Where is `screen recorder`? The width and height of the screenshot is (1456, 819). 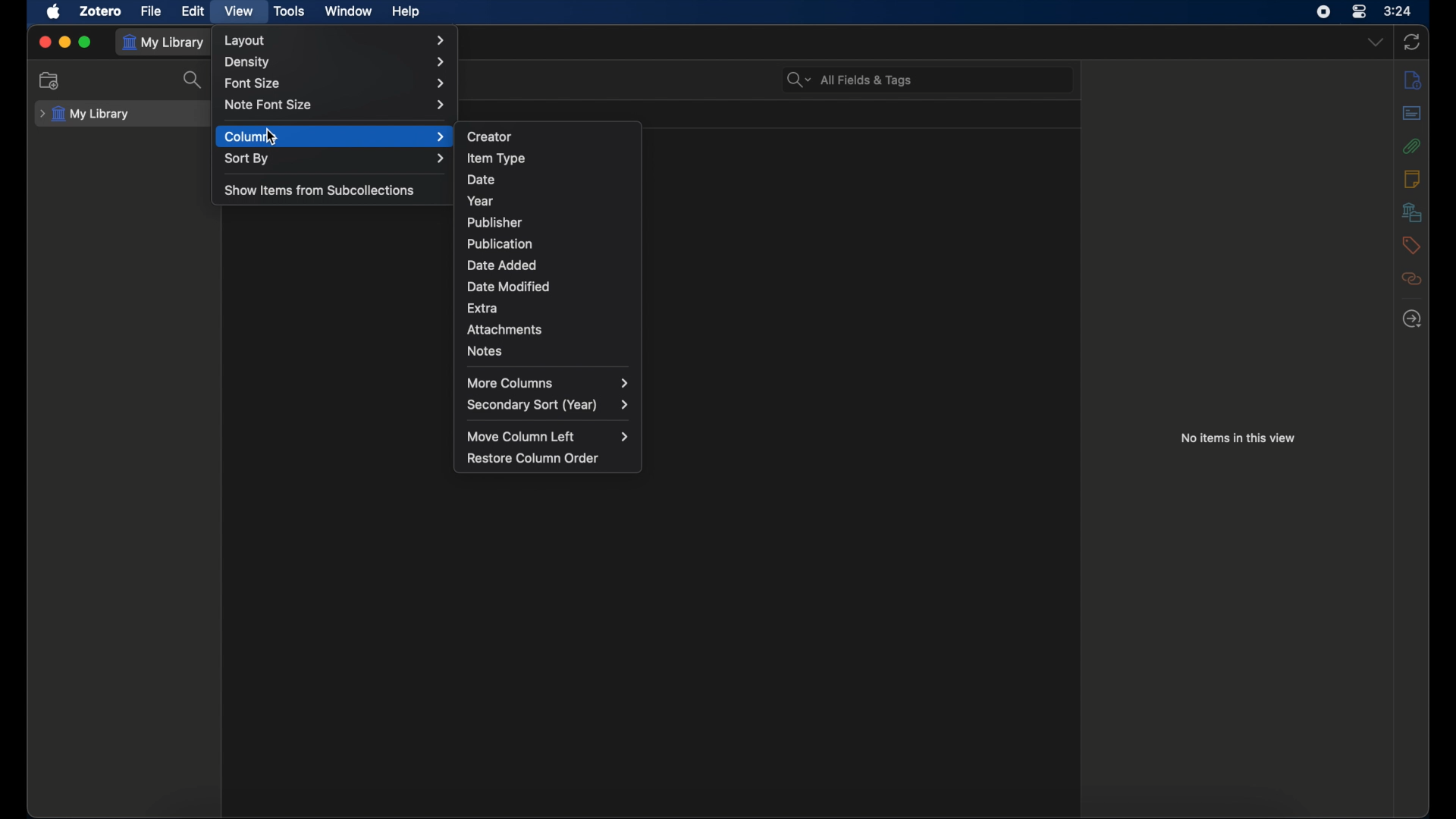 screen recorder is located at coordinates (1323, 12).